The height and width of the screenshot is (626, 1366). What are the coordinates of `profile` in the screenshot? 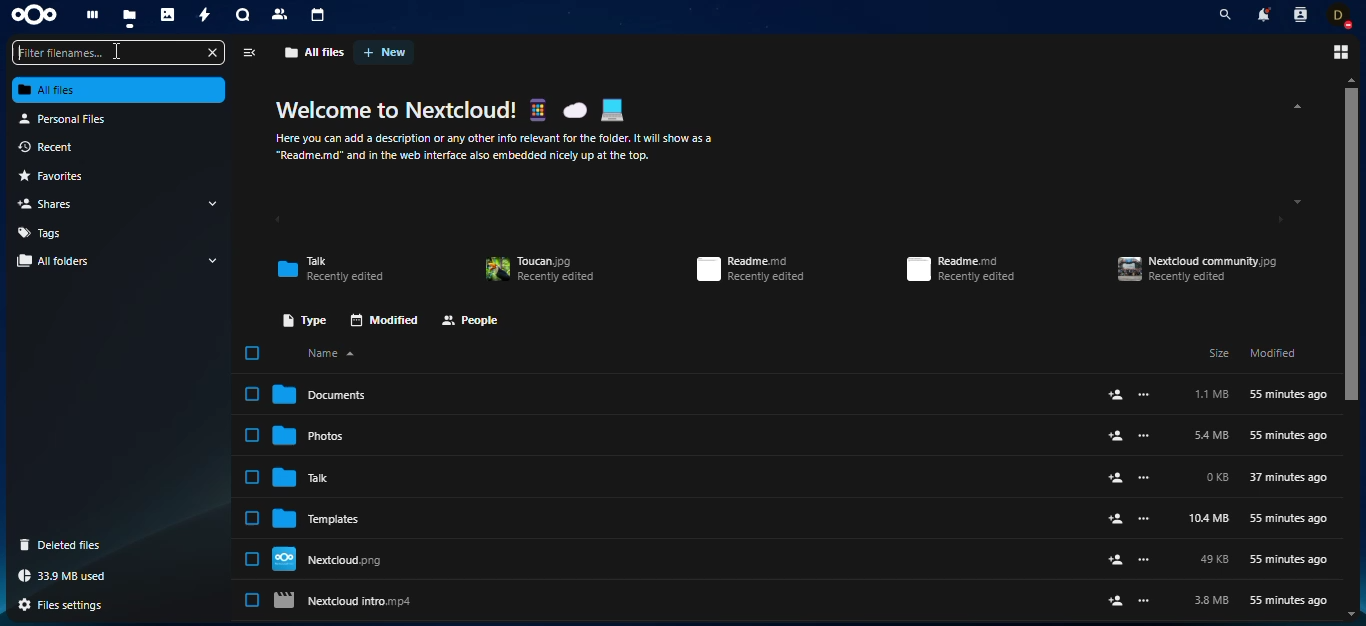 It's located at (1341, 15).